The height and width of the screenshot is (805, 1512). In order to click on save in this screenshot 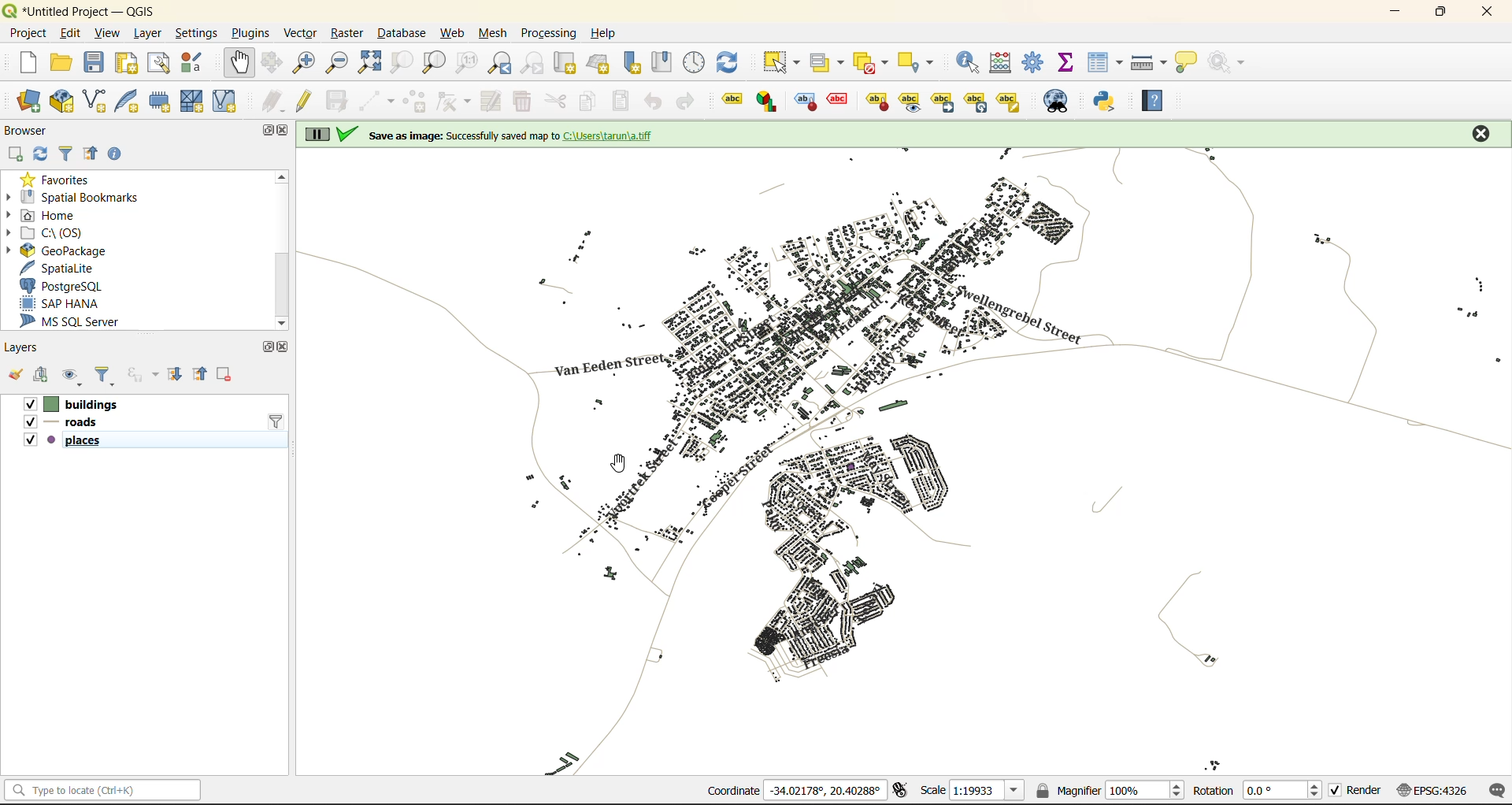, I will do `click(94, 63)`.